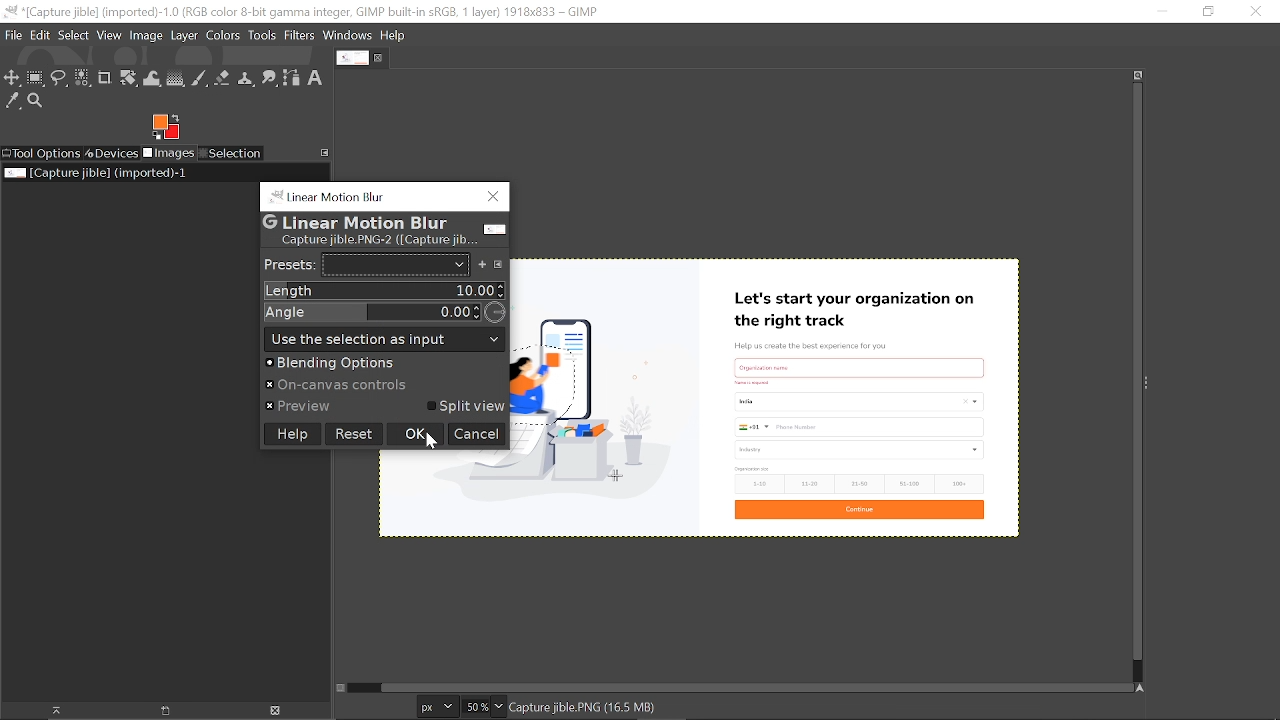  What do you see at coordinates (112, 152) in the screenshot?
I see `Devices` at bounding box center [112, 152].